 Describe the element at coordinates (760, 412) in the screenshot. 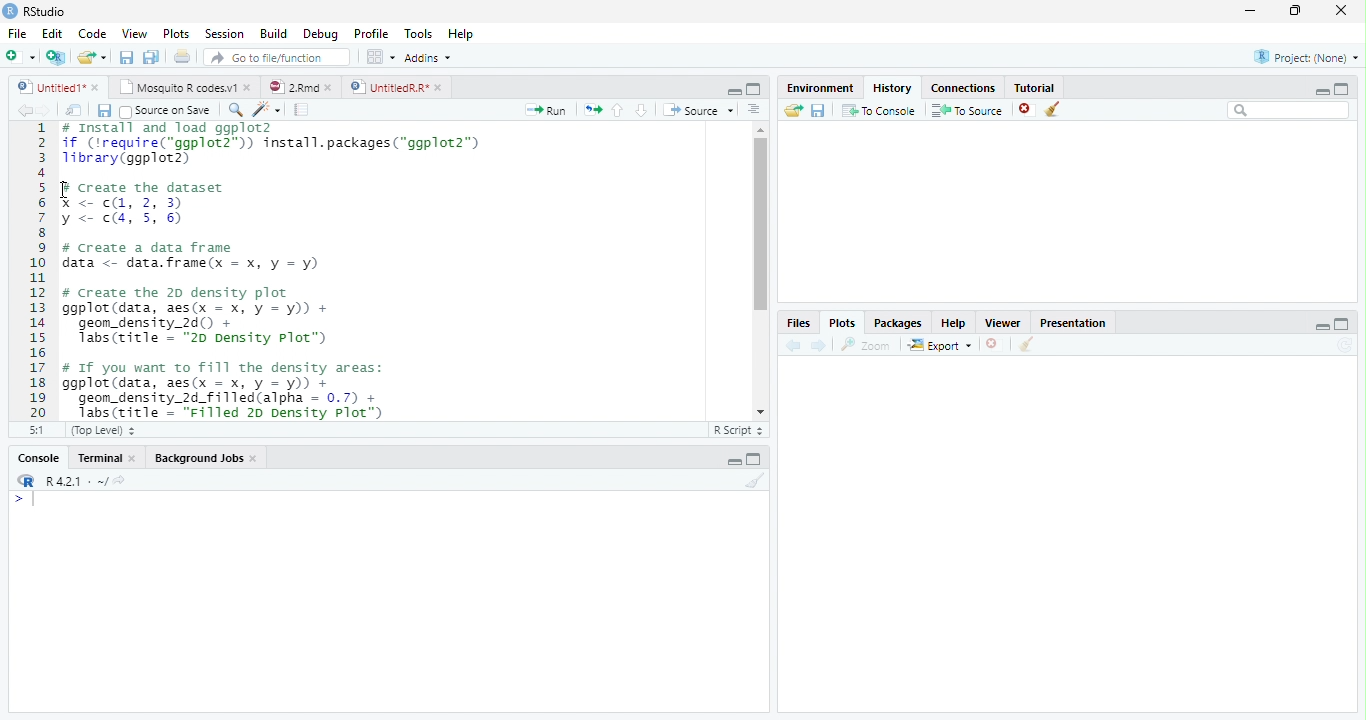

I see `Scrollbar down` at that location.